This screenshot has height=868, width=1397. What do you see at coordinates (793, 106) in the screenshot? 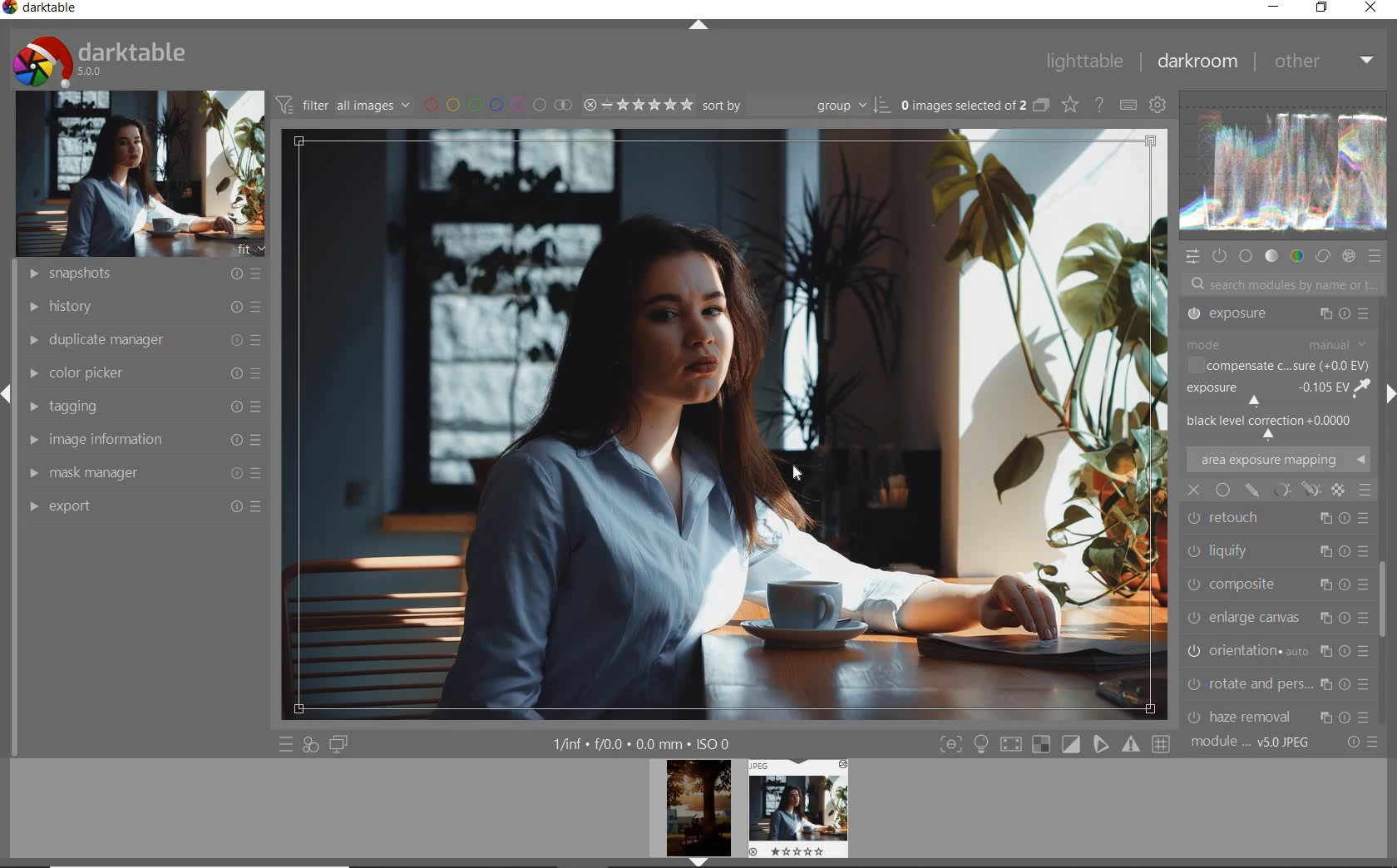
I see `SORT` at bounding box center [793, 106].